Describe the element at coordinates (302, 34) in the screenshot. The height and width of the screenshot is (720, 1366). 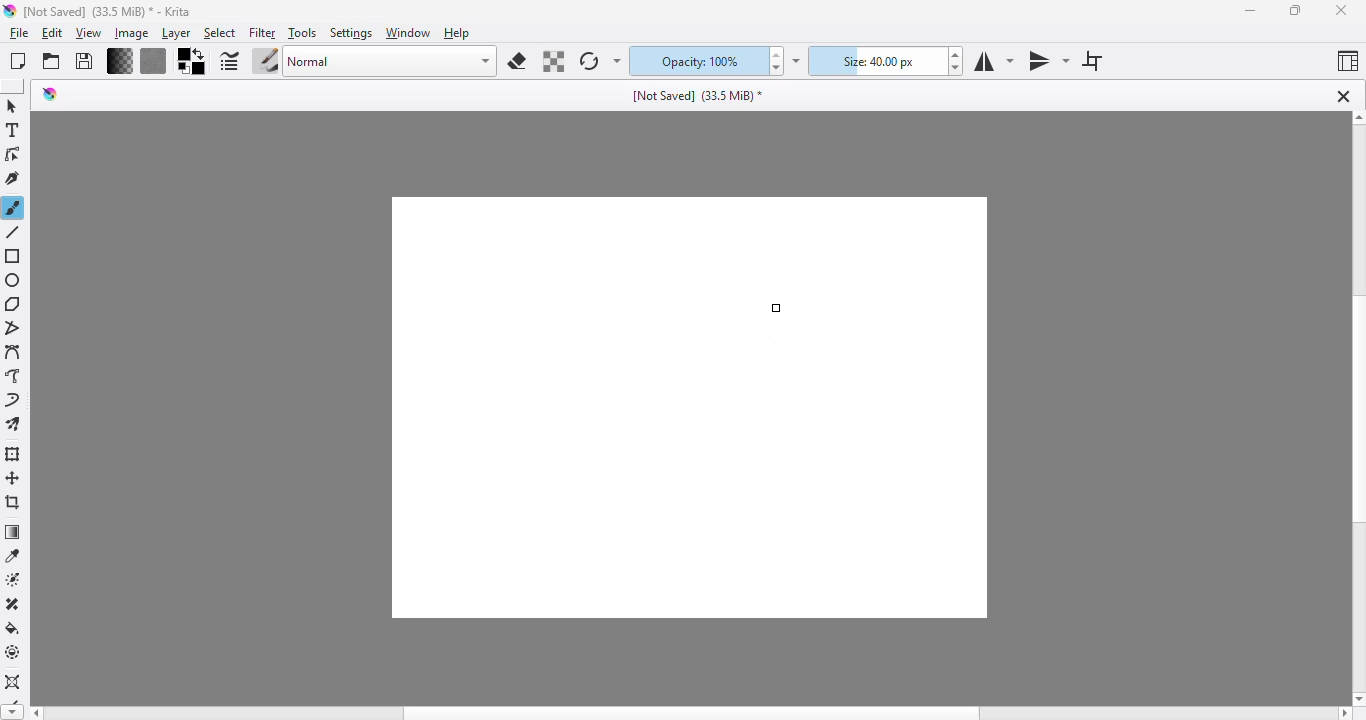
I see `tools` at that location.